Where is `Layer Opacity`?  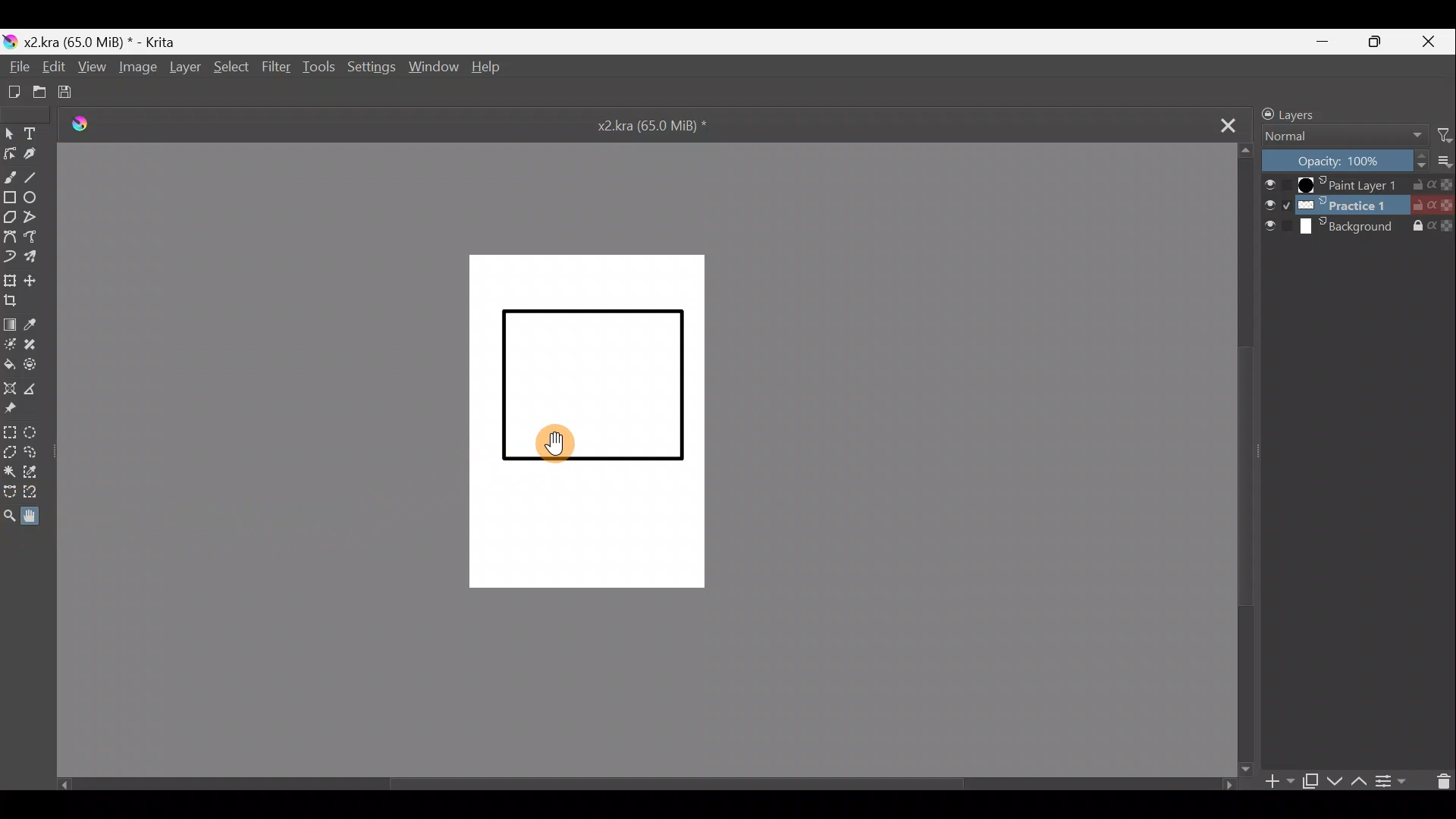
Layer Opacity is located at coordinates (1343, 163).